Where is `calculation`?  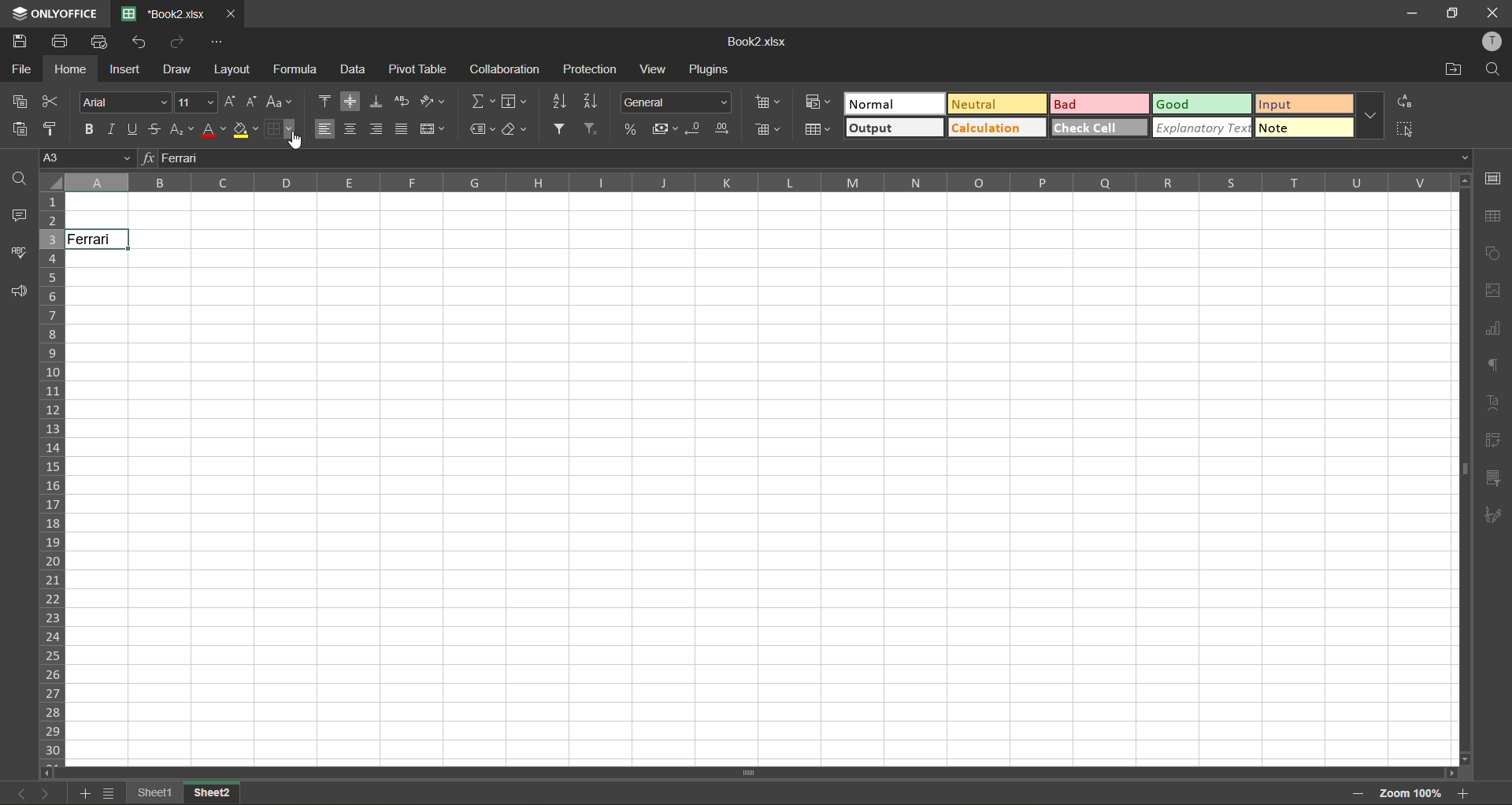
calculation is located at coordinates (994, 129).